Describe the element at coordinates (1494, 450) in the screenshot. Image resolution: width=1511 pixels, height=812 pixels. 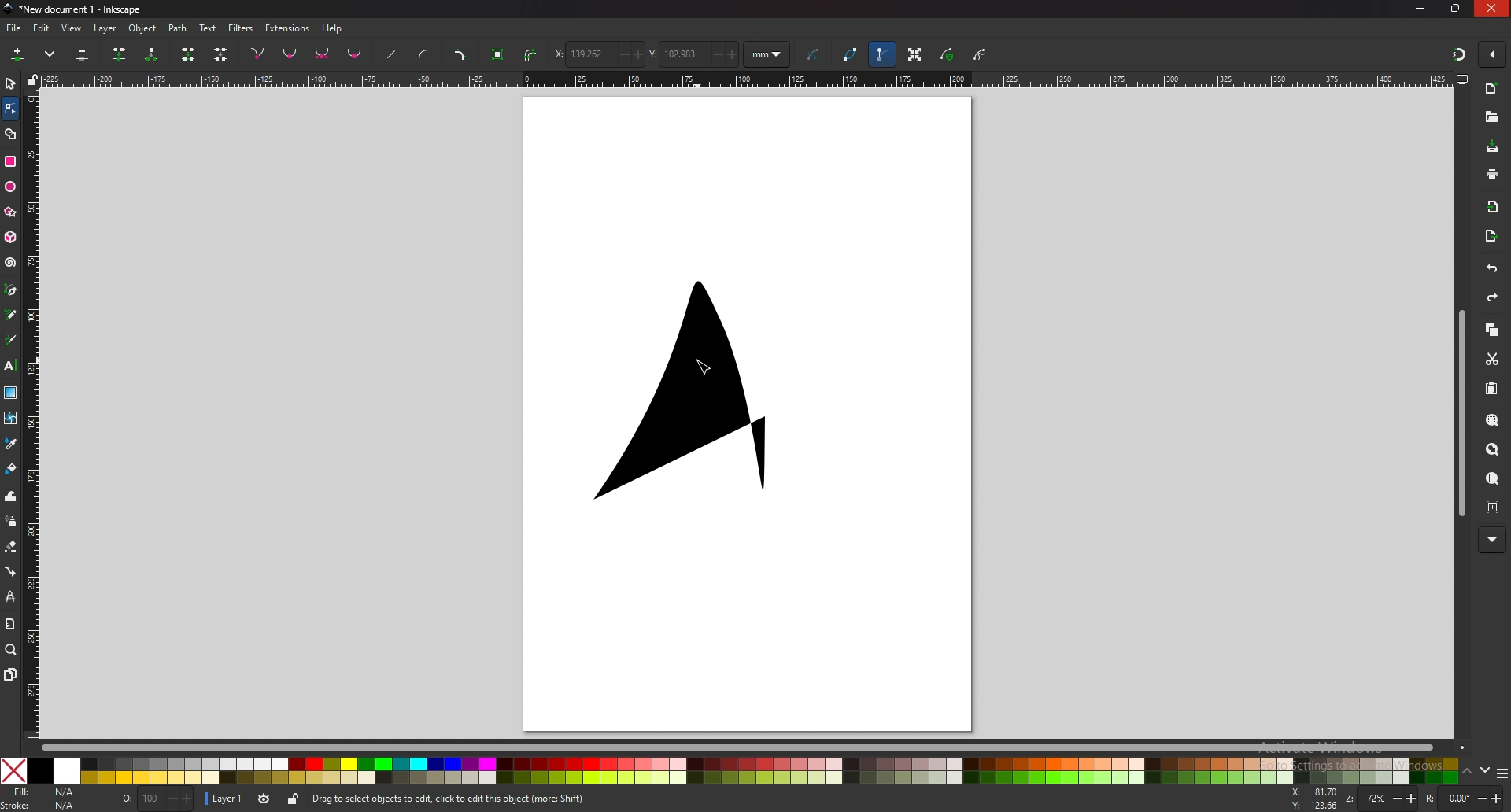
I see `zoom drawing` at that location.